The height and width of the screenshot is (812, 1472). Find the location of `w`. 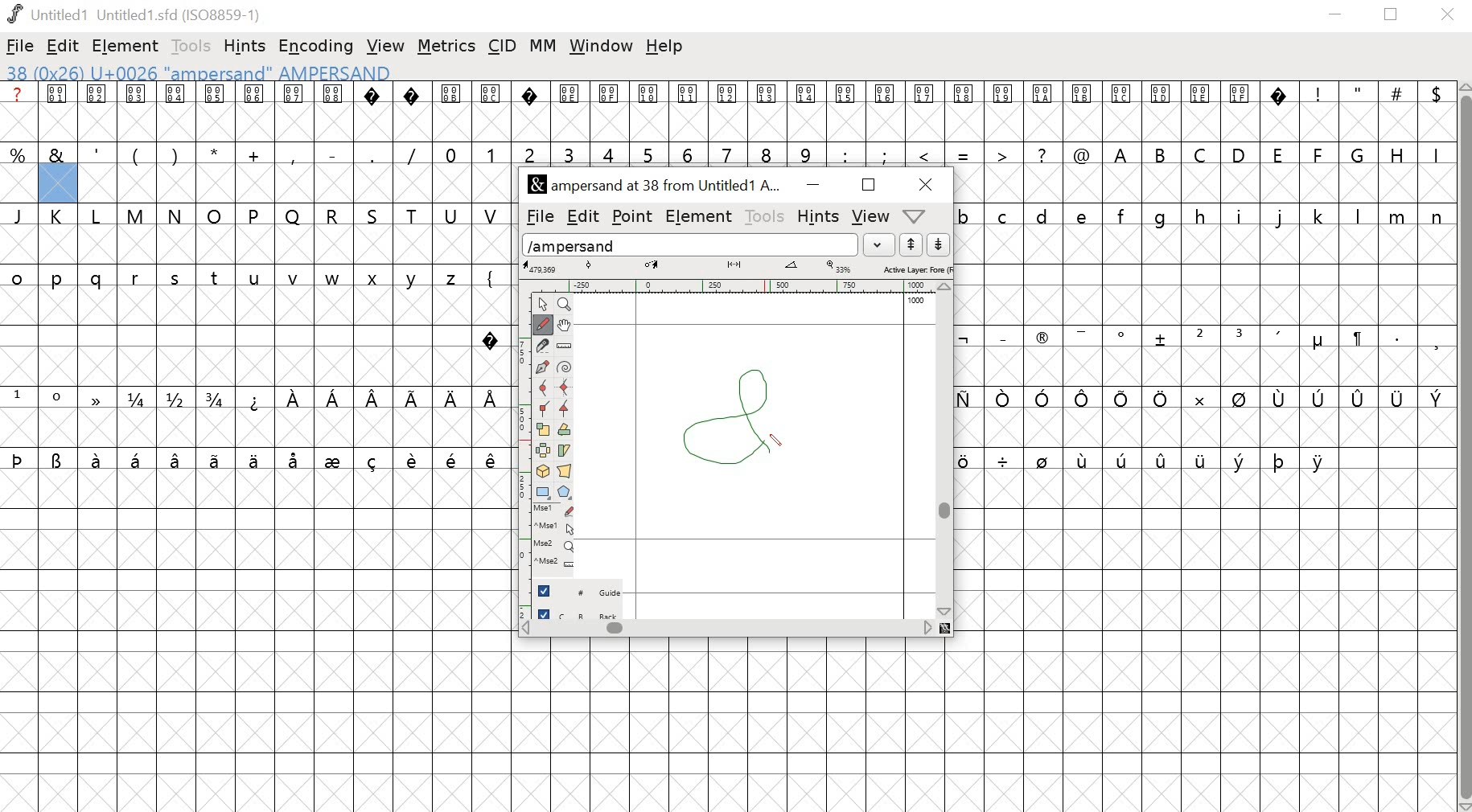

w is located at coordinates (333, 280).